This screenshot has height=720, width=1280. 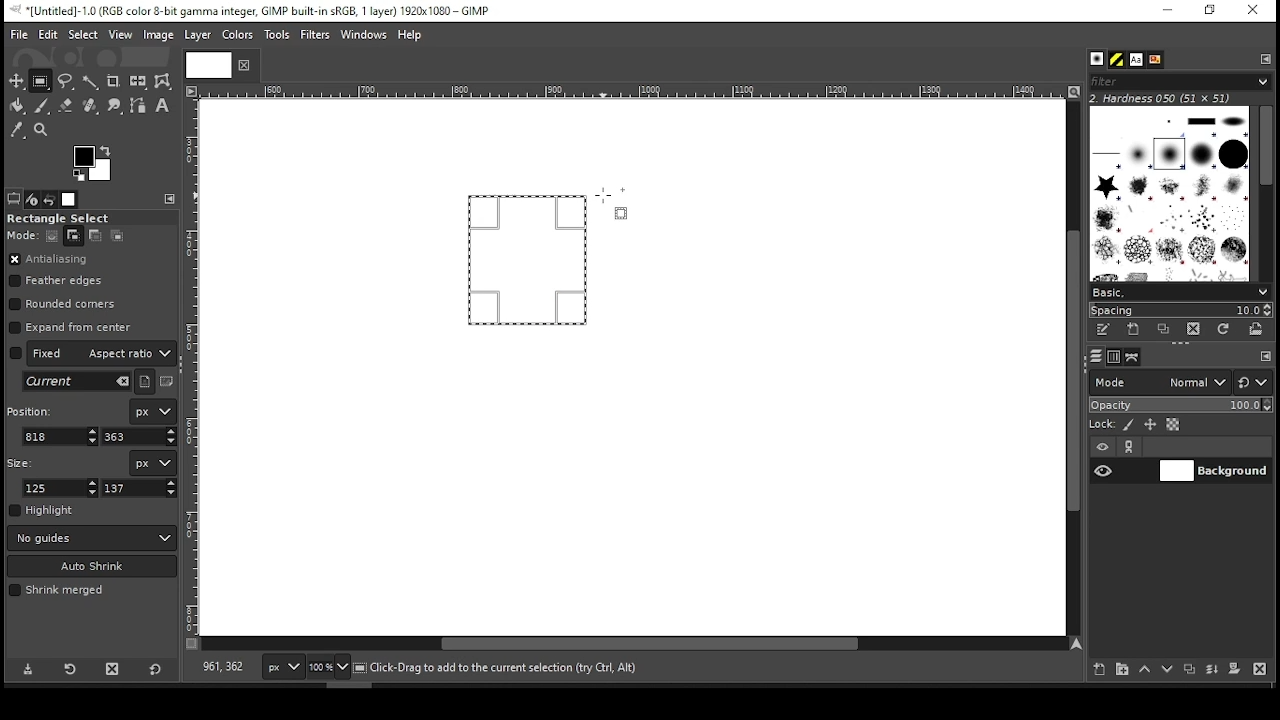 What do you see at coordinates (1136, 329) in the screenshot?
I see `create a new brush` at bounding box center [1136, 329].